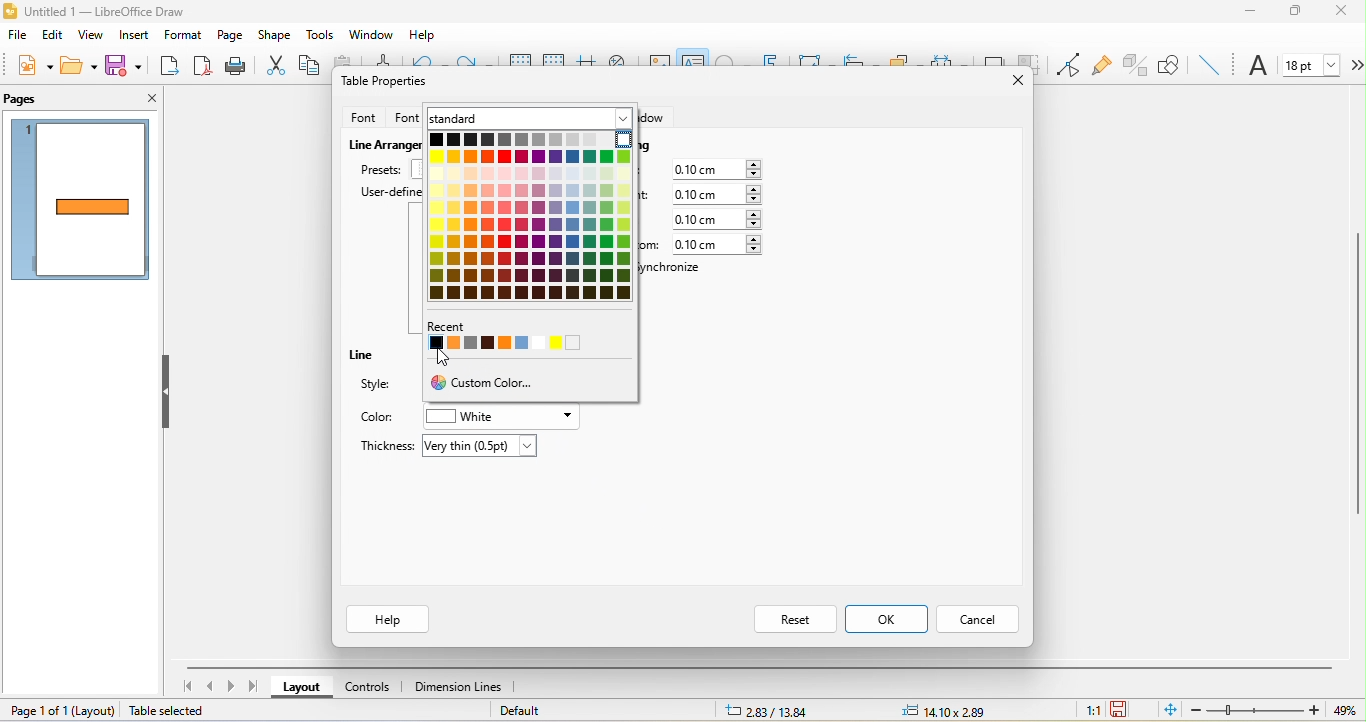 Image resolution: width=1366 pixels, height=722 pixels. What do you see at coordinates (446, 359) in the screenshot?
I see `cursor movement ` at bounding box center [446, 359].